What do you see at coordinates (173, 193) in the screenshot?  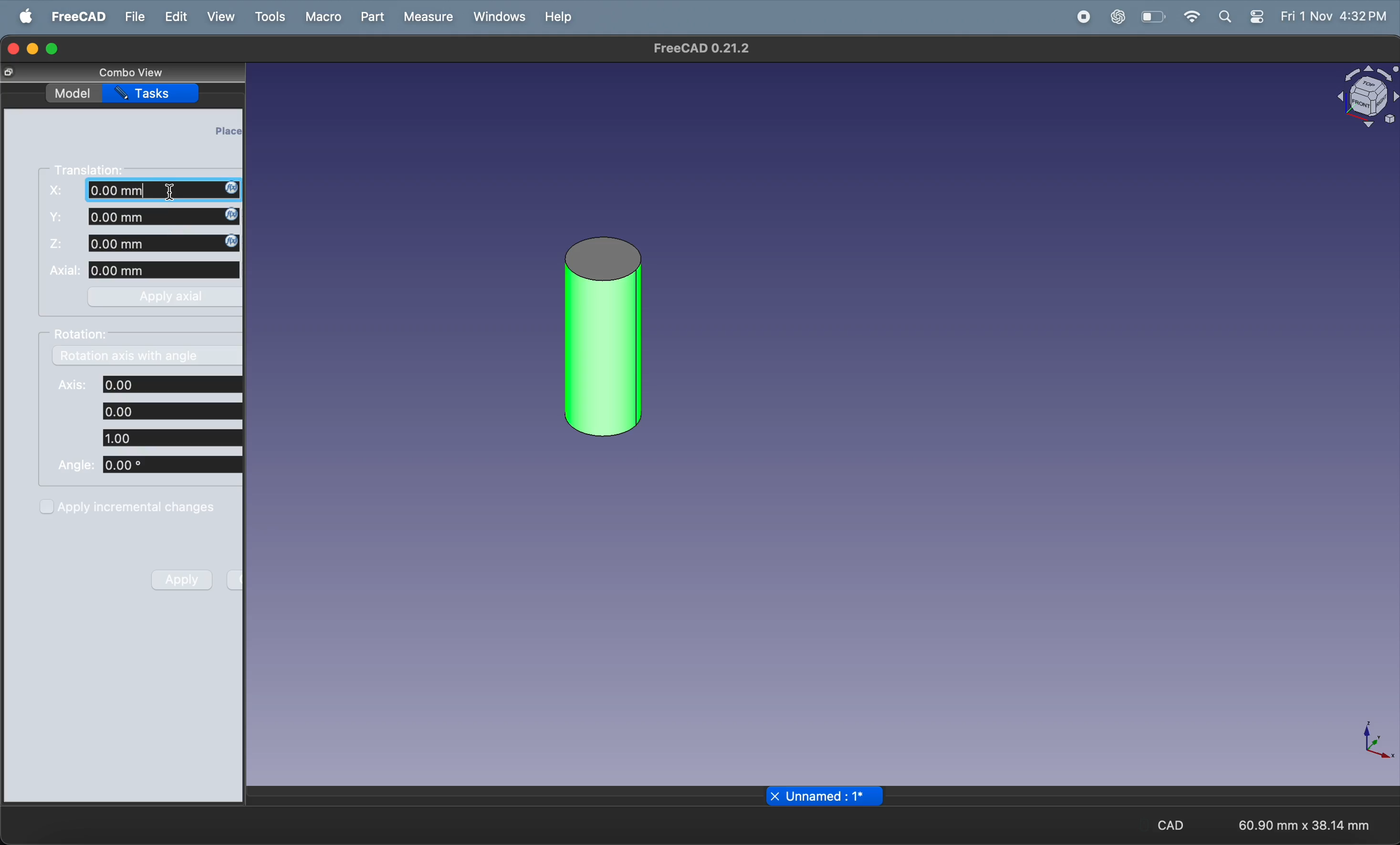 I see `text cursor` at bounding box center [173, 193].